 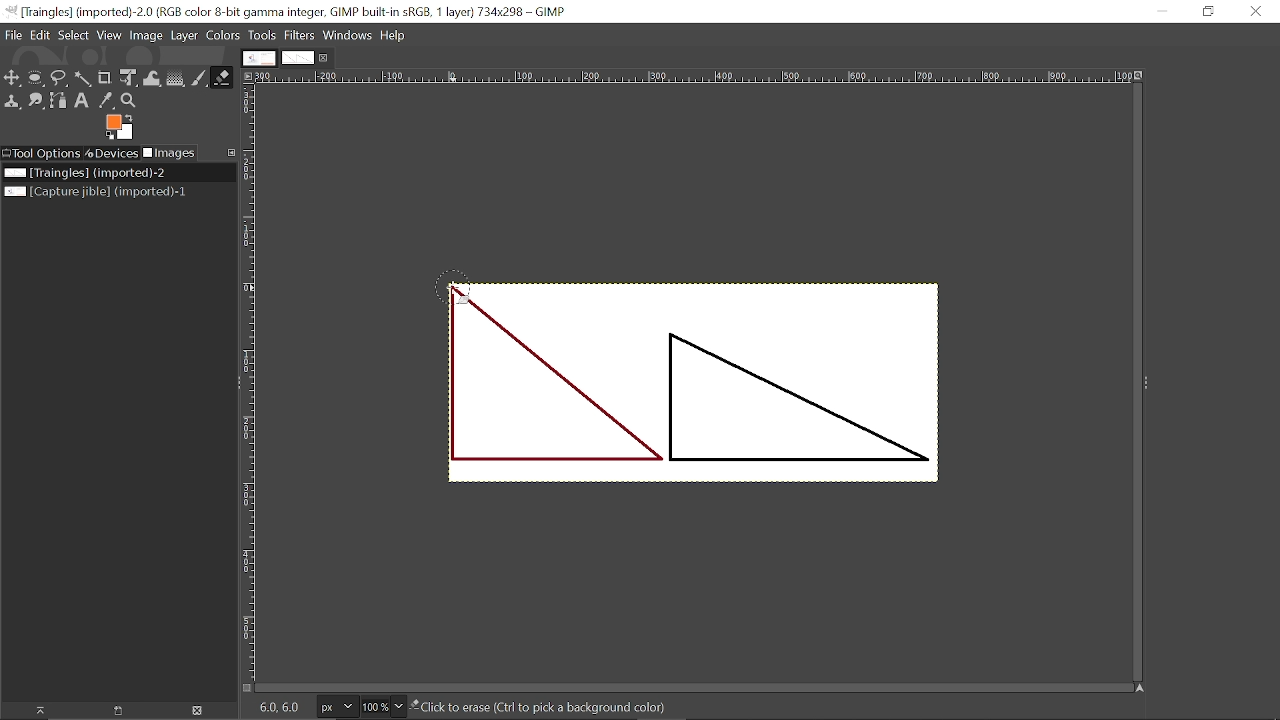 I want to click on Wrap text tool, so click(x=152, y=79).